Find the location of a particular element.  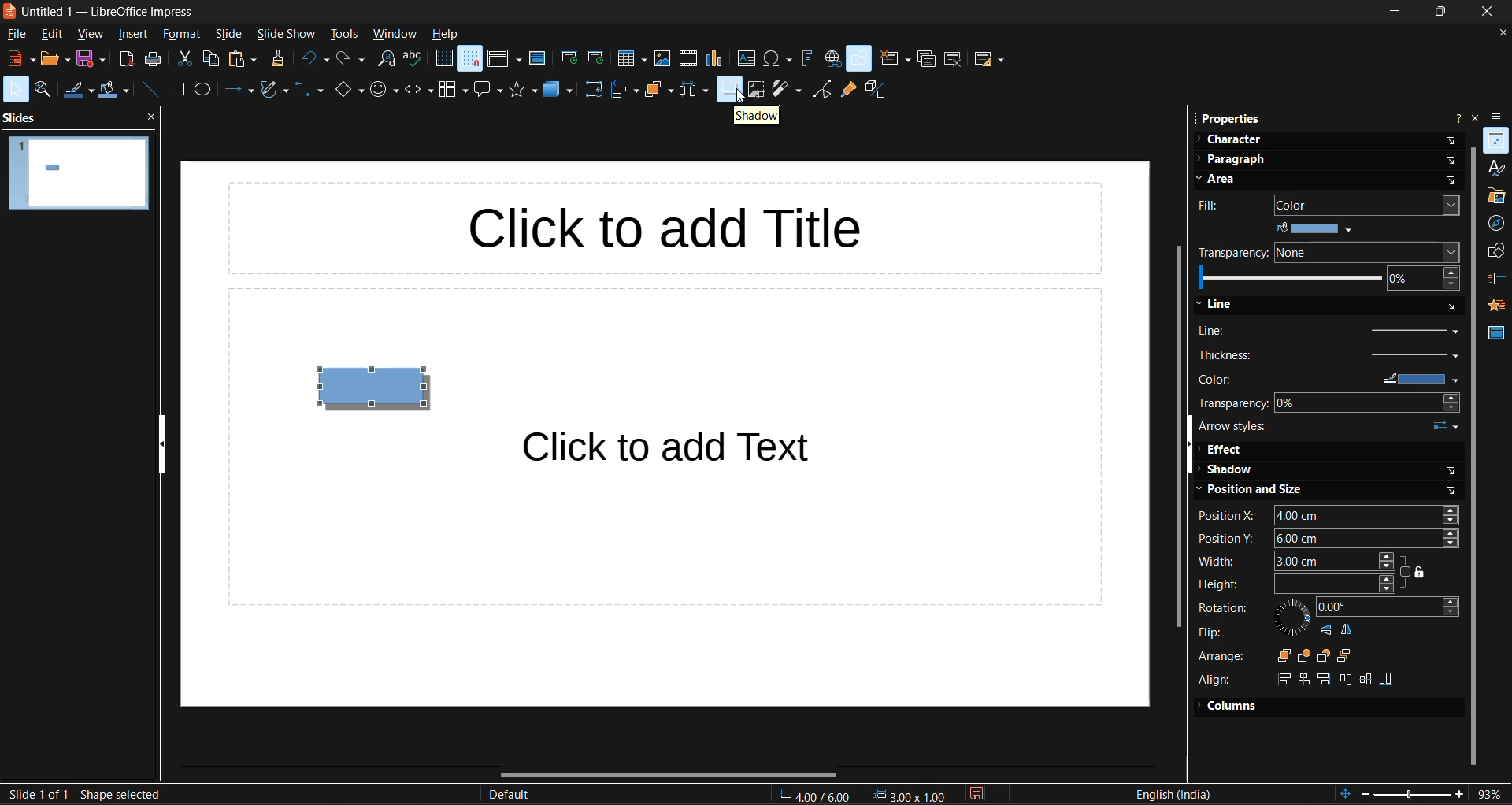

filter is located at coordinates (786, 91).